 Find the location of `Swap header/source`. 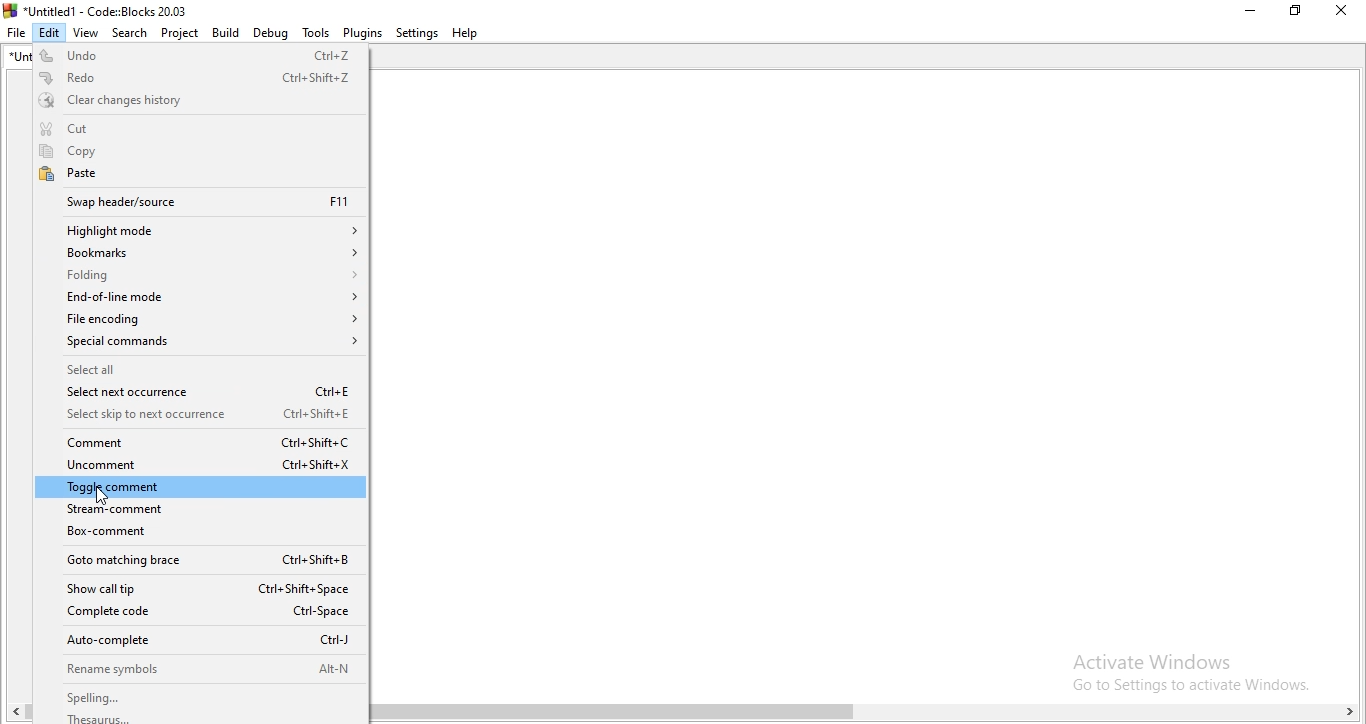

Swap header/source is located at coordinates (203, 203).